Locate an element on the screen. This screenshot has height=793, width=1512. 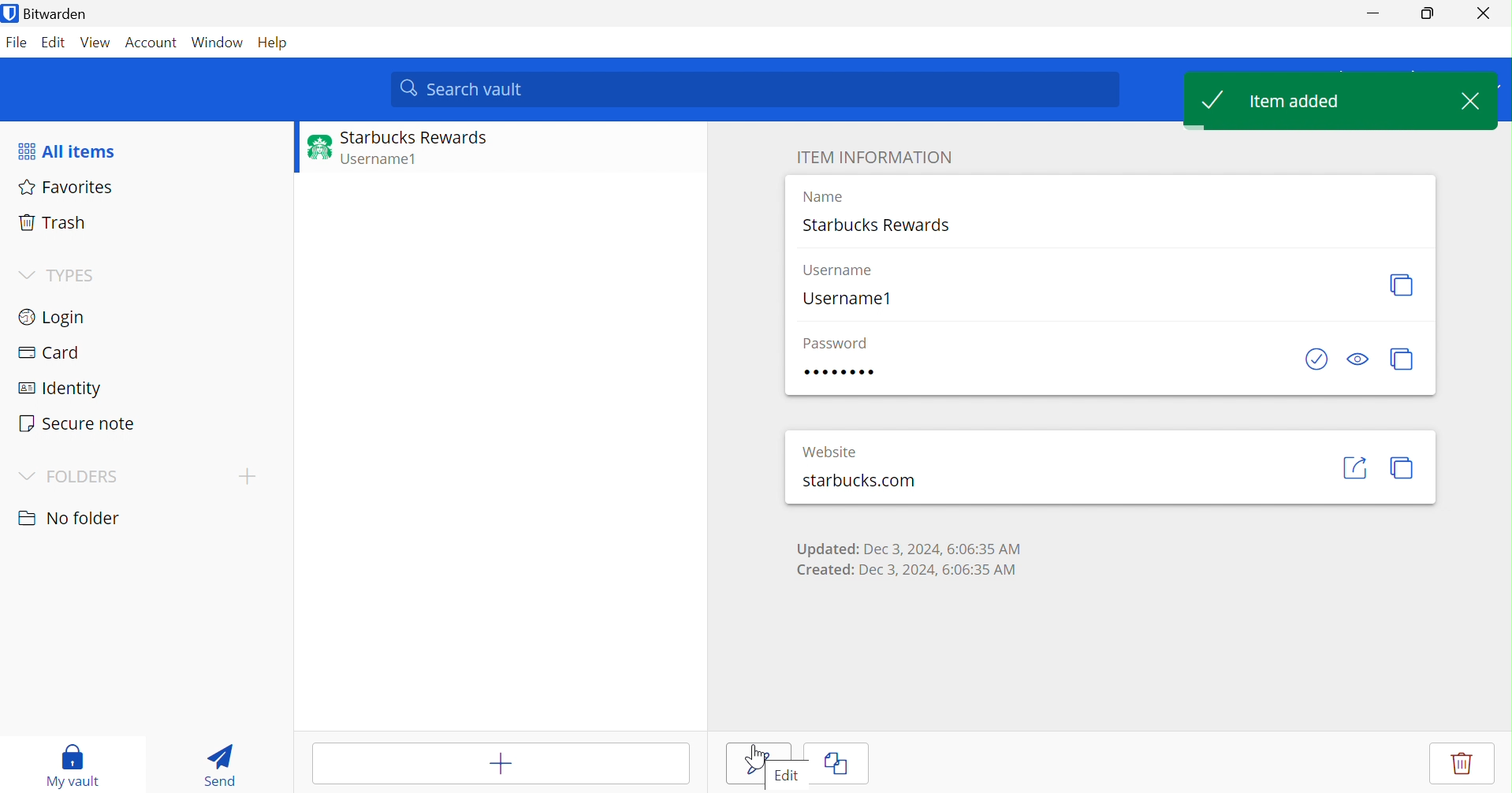
File is located at coordinates (17, 45).